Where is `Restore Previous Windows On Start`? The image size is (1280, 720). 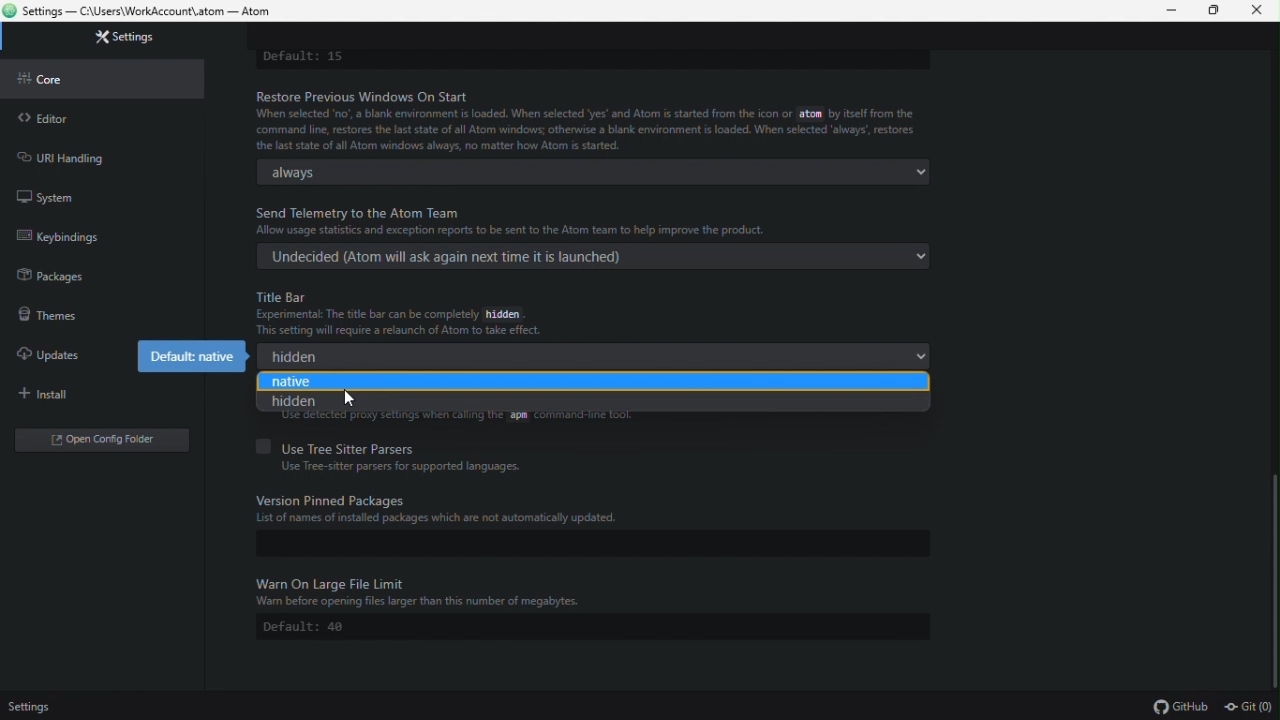 Restore Previous Windows On Start is located at coordinates (372, 96).